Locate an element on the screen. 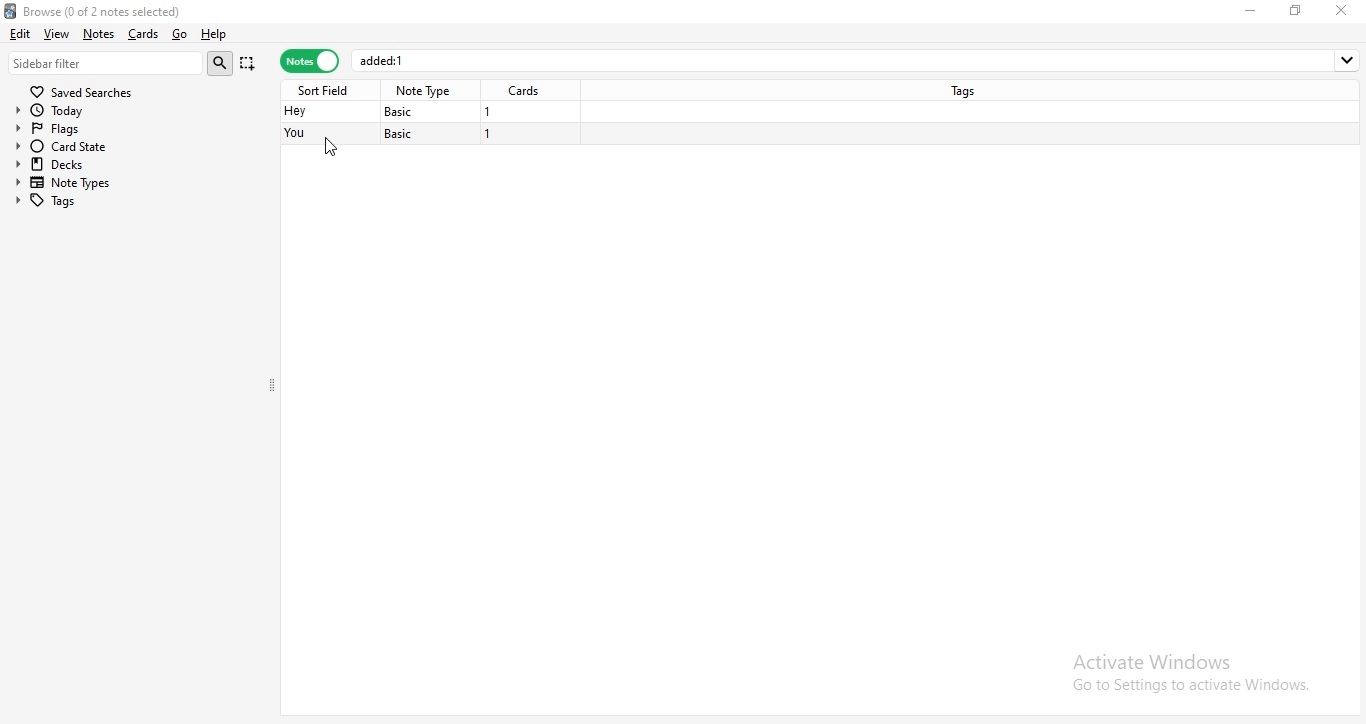 Image resolution: width=1366 pixels, height=724 pixels. cards is located at coordinates (141, 34).